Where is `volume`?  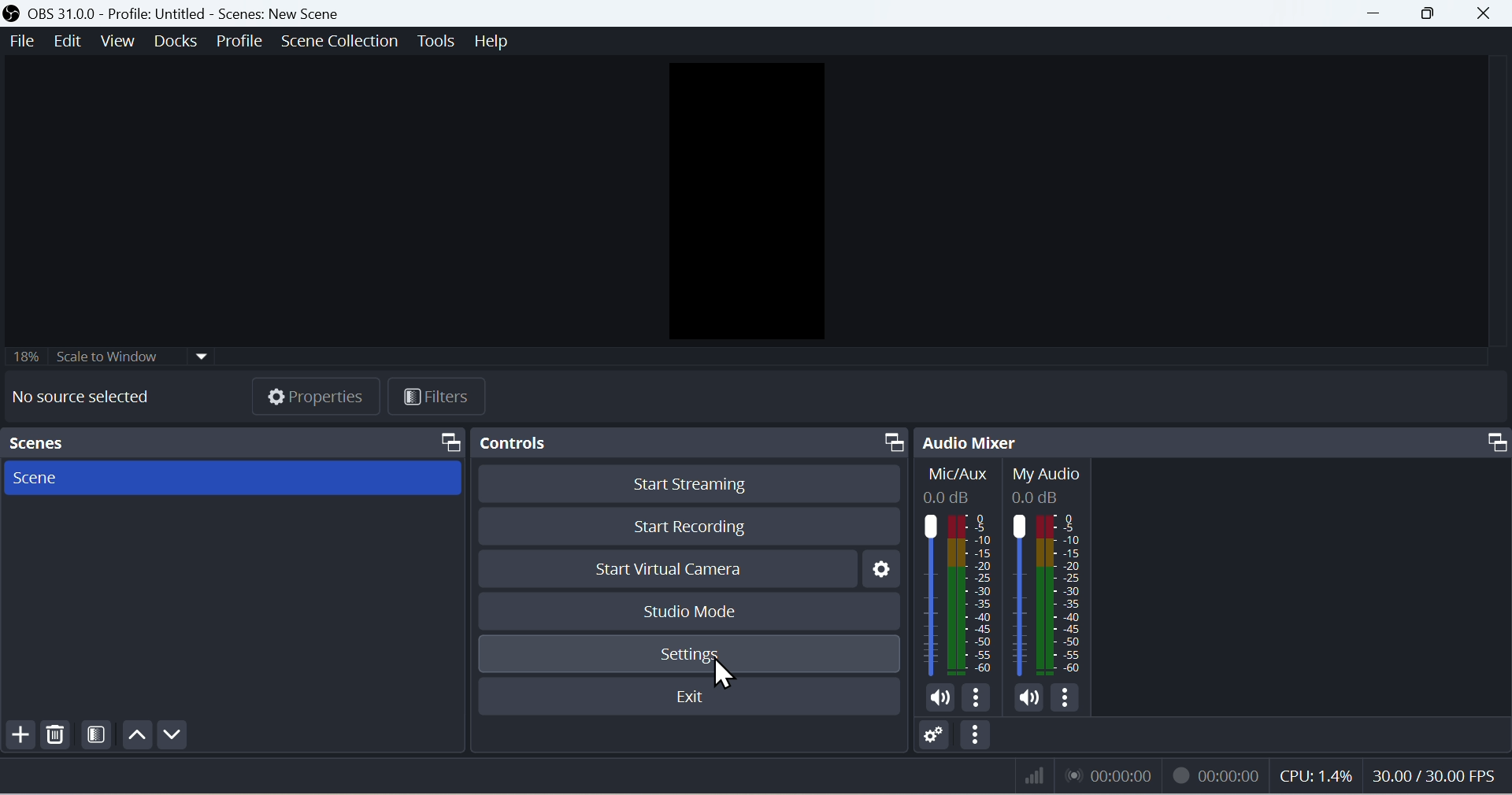
volume is located at coordinates (939, 698).